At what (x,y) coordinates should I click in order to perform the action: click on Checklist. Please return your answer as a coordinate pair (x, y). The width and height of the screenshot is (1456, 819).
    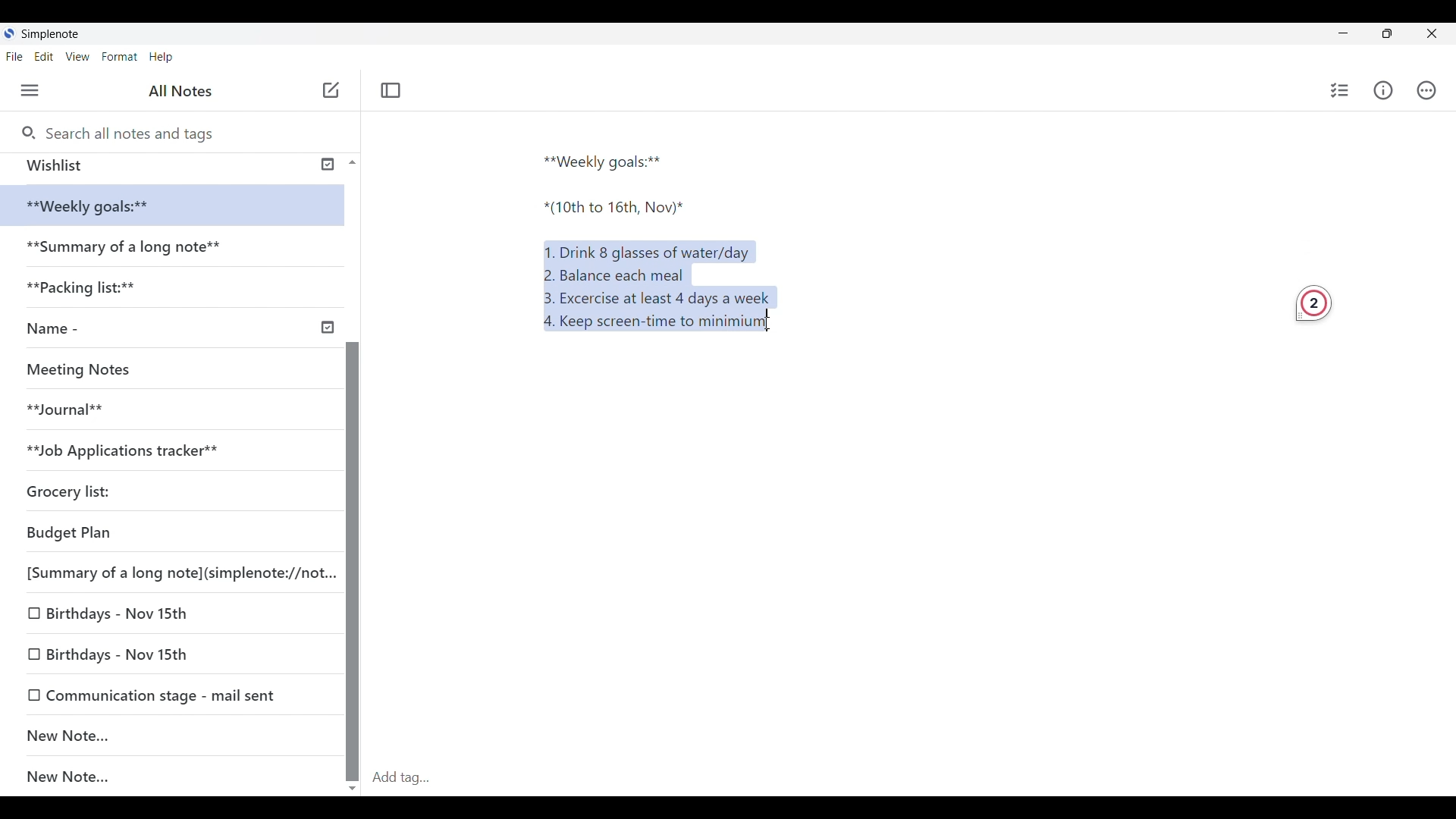
    Looking at the image, I should click on (1337, 90).